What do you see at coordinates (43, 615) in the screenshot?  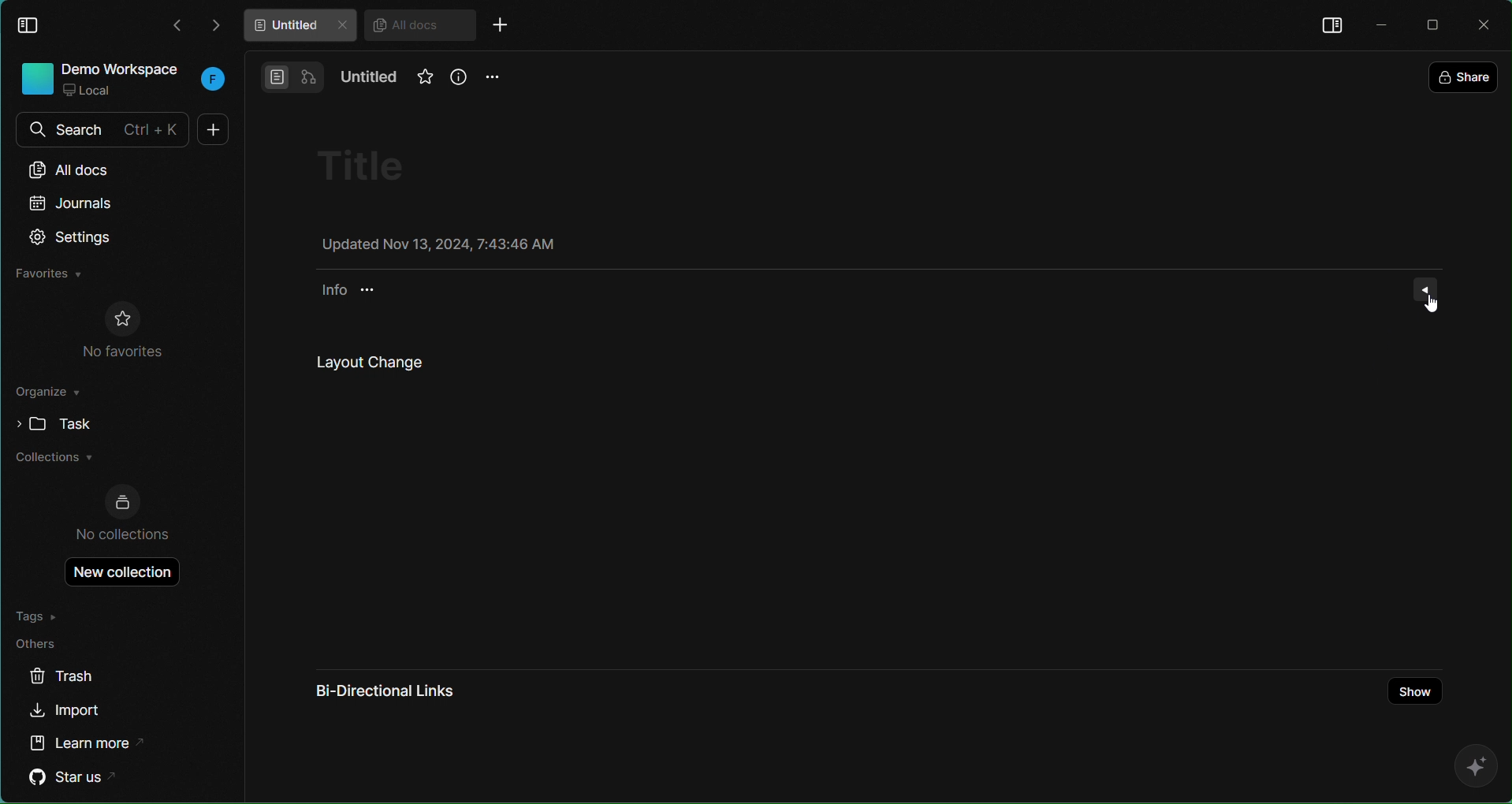 I see `Tags »` at bounding box center [43, 615].